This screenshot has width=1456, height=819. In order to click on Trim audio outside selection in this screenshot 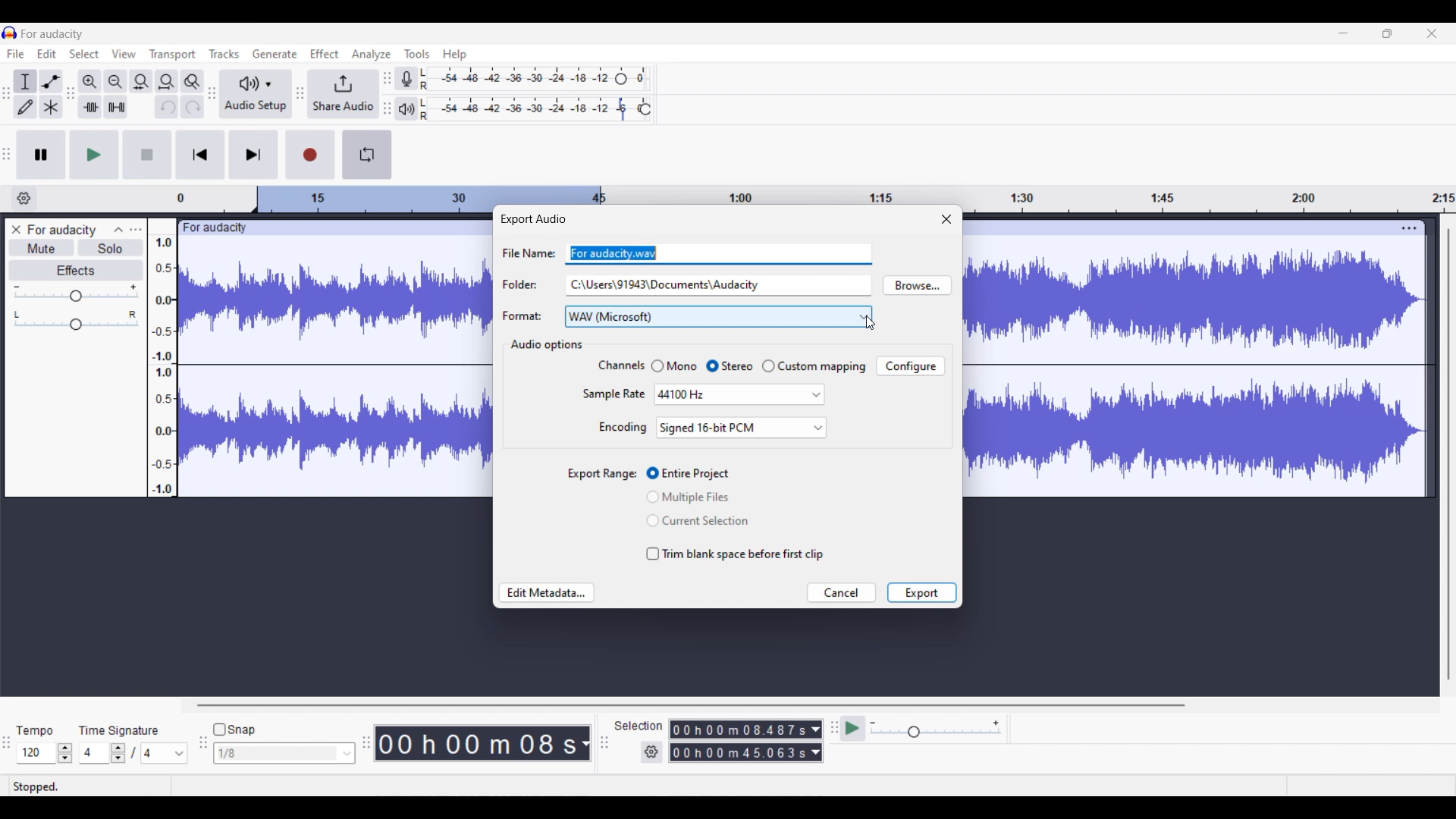, I will do `click(90, 107)`.